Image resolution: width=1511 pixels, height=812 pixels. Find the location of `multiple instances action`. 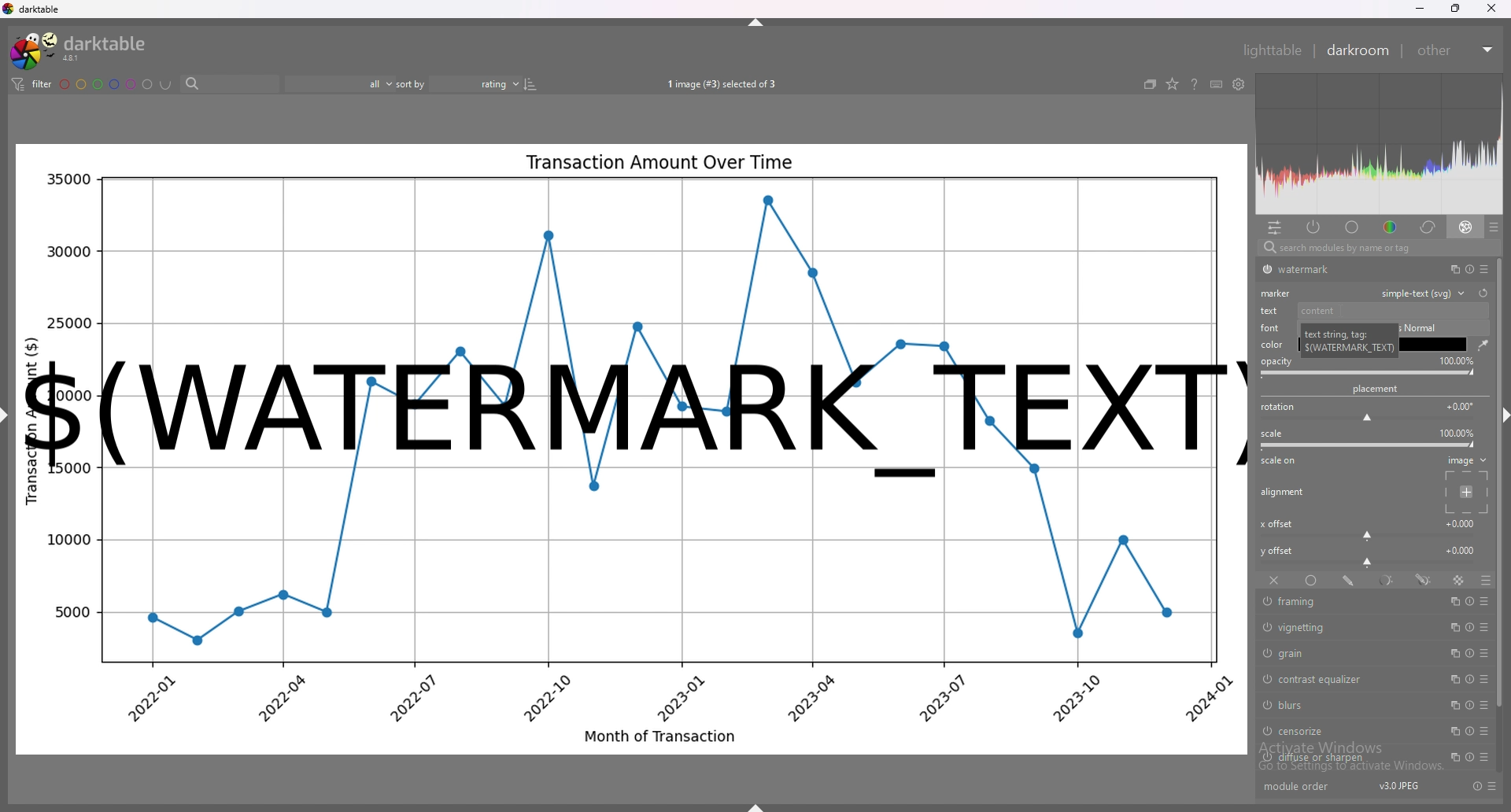

multiple instances action is located at coordinates (1453, 628).